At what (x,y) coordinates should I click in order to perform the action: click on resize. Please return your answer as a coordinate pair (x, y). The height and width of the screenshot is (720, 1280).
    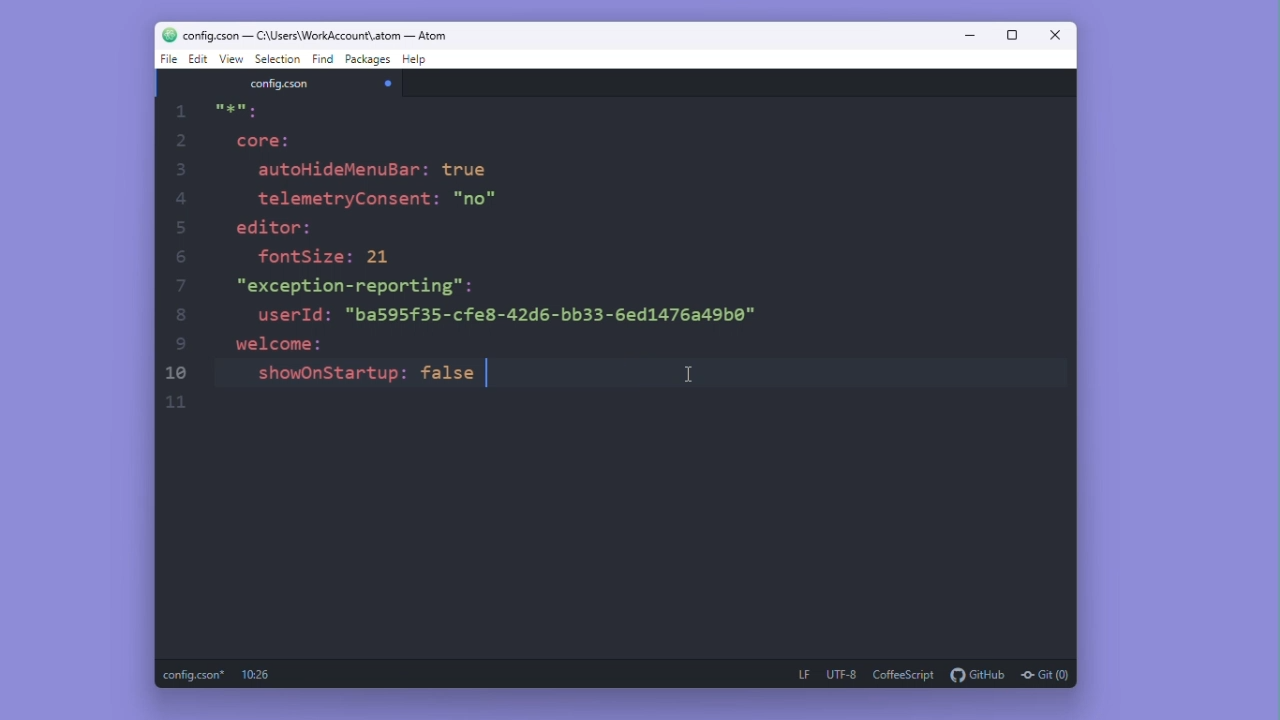
    Looking at the image, I should click on (1012, 36).